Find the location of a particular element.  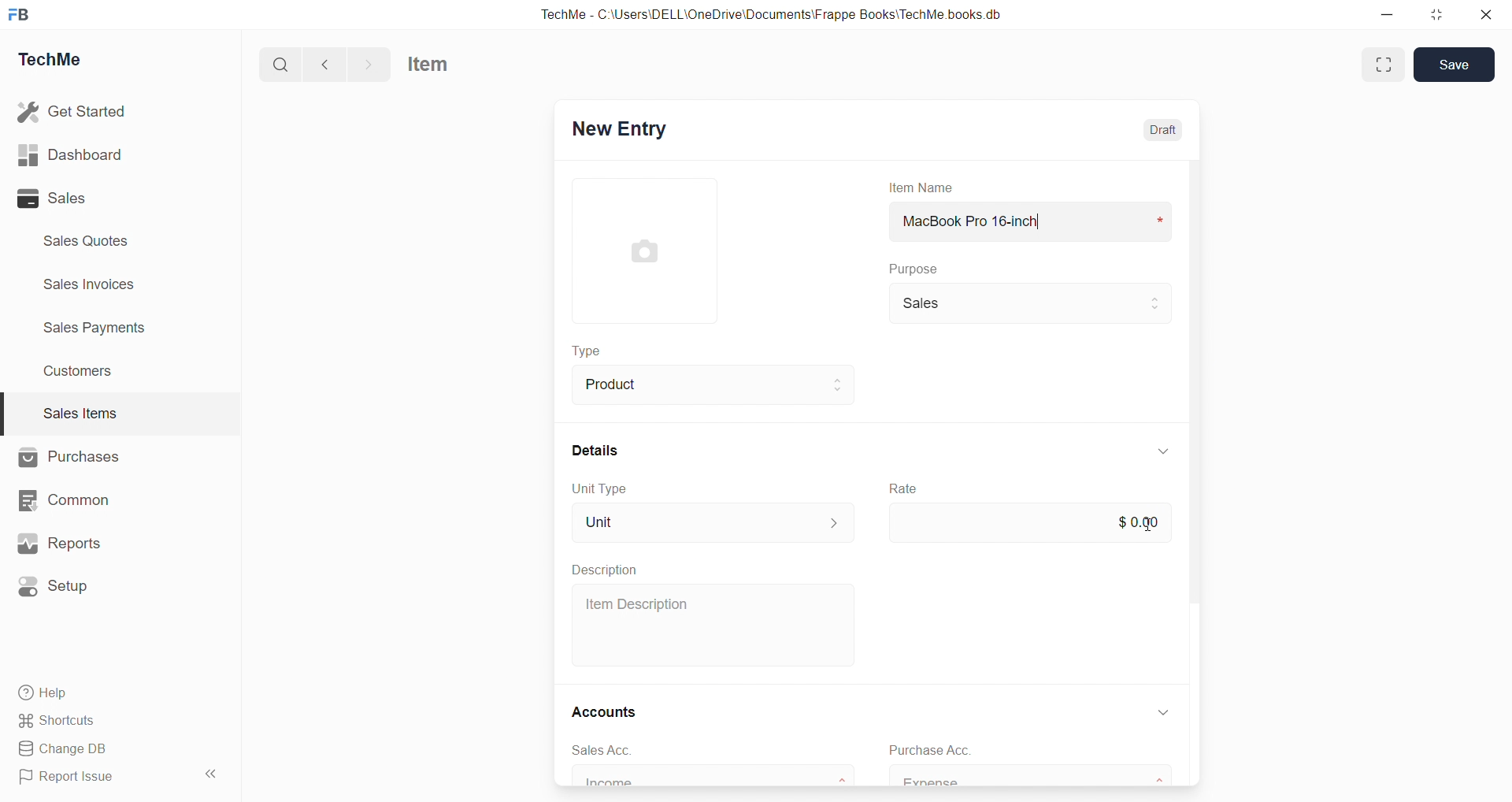

Common is located at coordinates (68, 500).